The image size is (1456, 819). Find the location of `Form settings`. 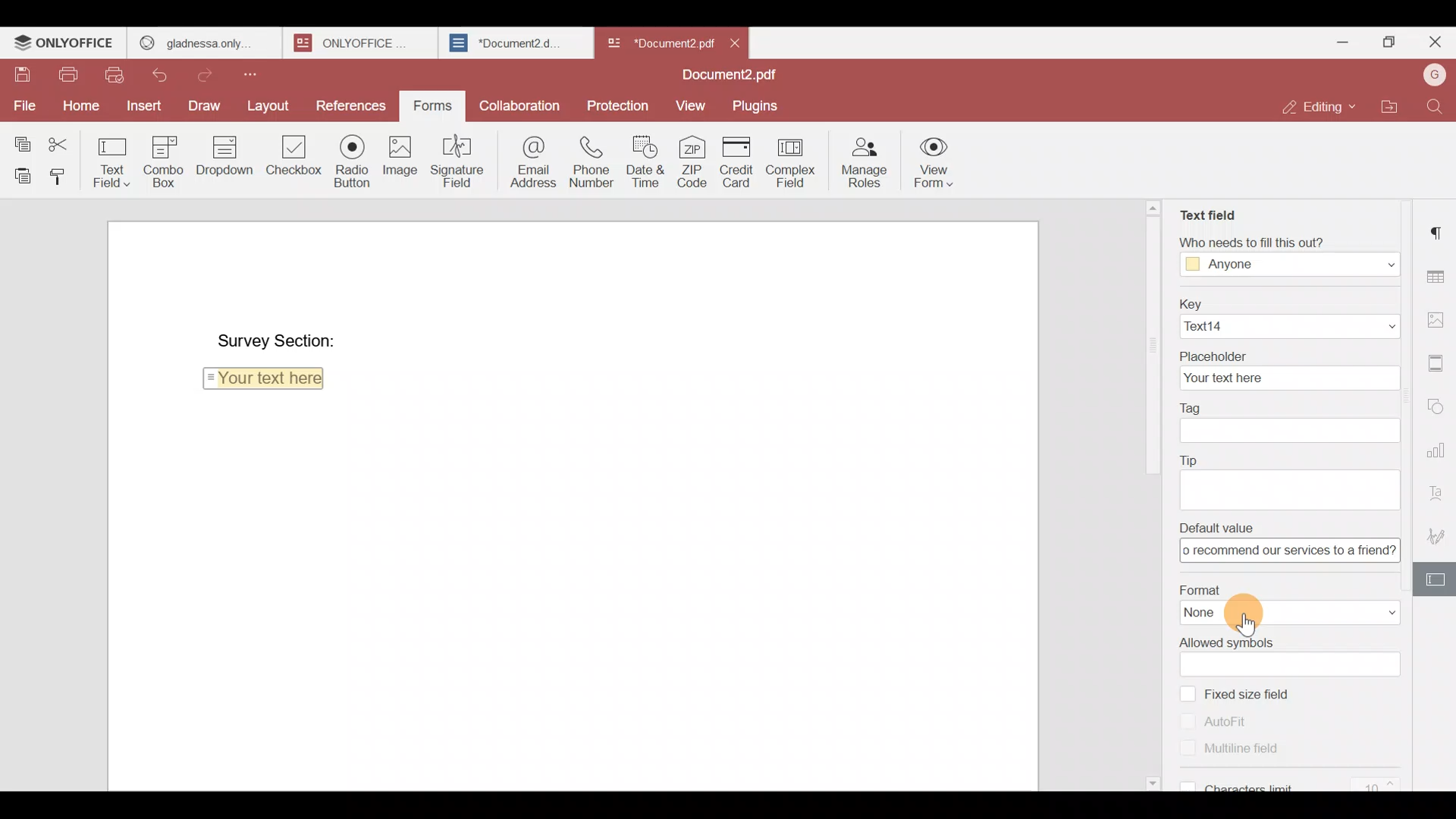

Form settings is located at coordinates (1437, 580).